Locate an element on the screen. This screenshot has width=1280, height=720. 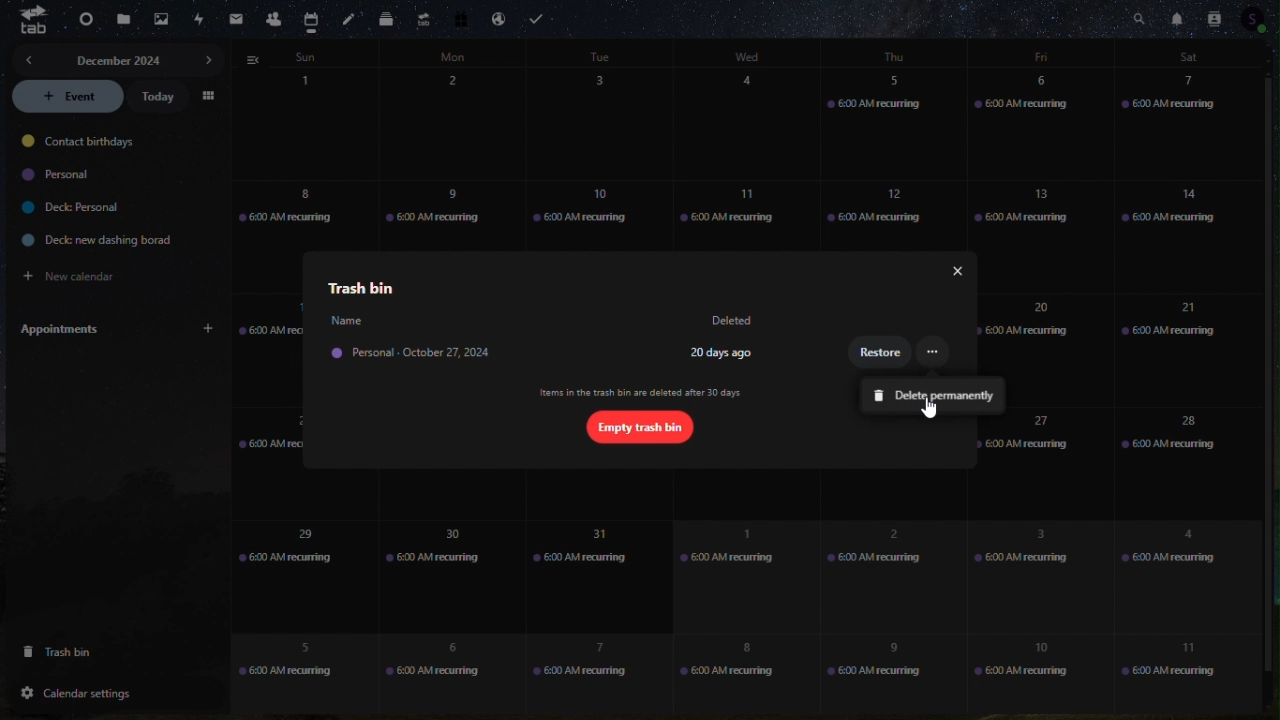
11 is located at coordinates (739, 212).